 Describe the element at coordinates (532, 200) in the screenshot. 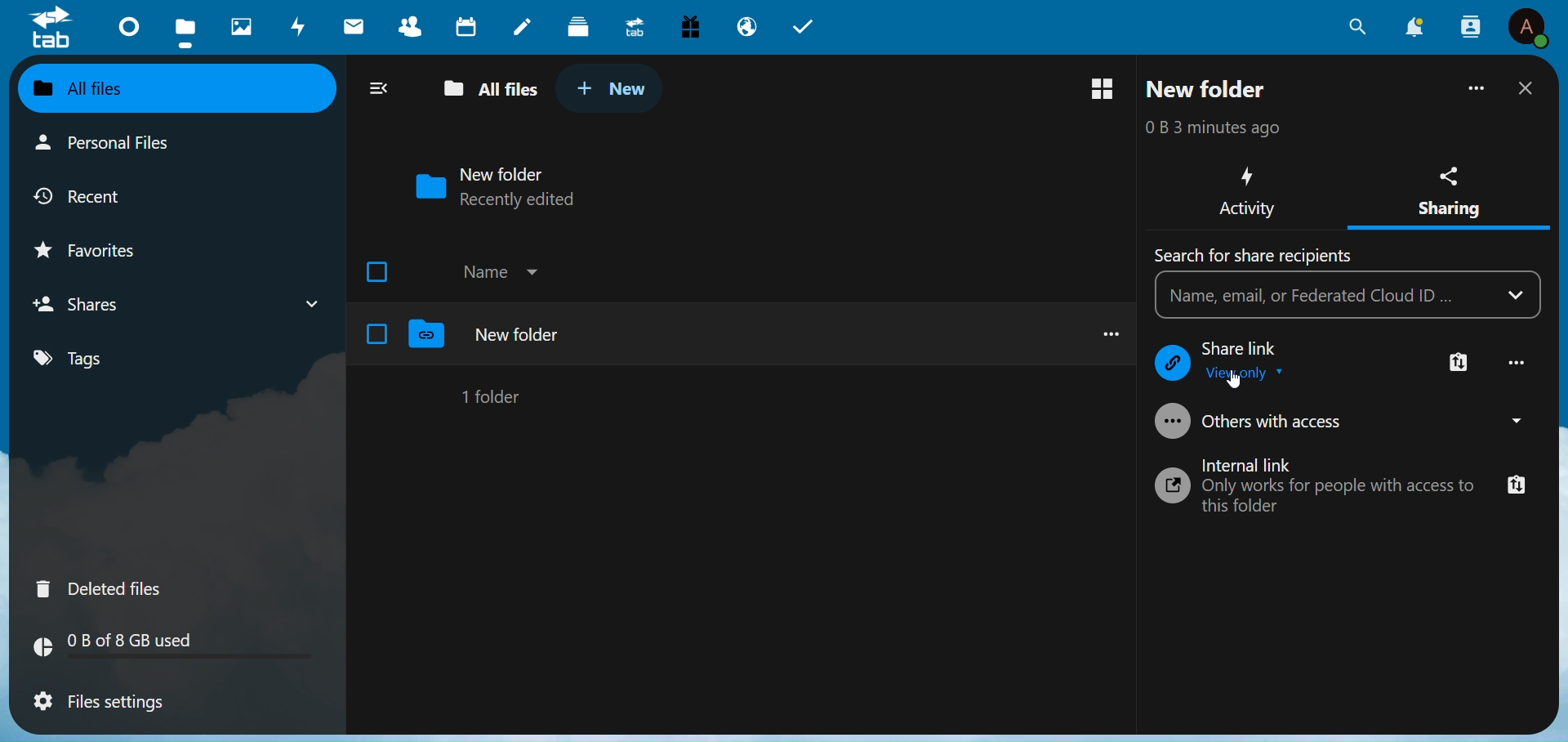

I see `Recently Added` at that location.